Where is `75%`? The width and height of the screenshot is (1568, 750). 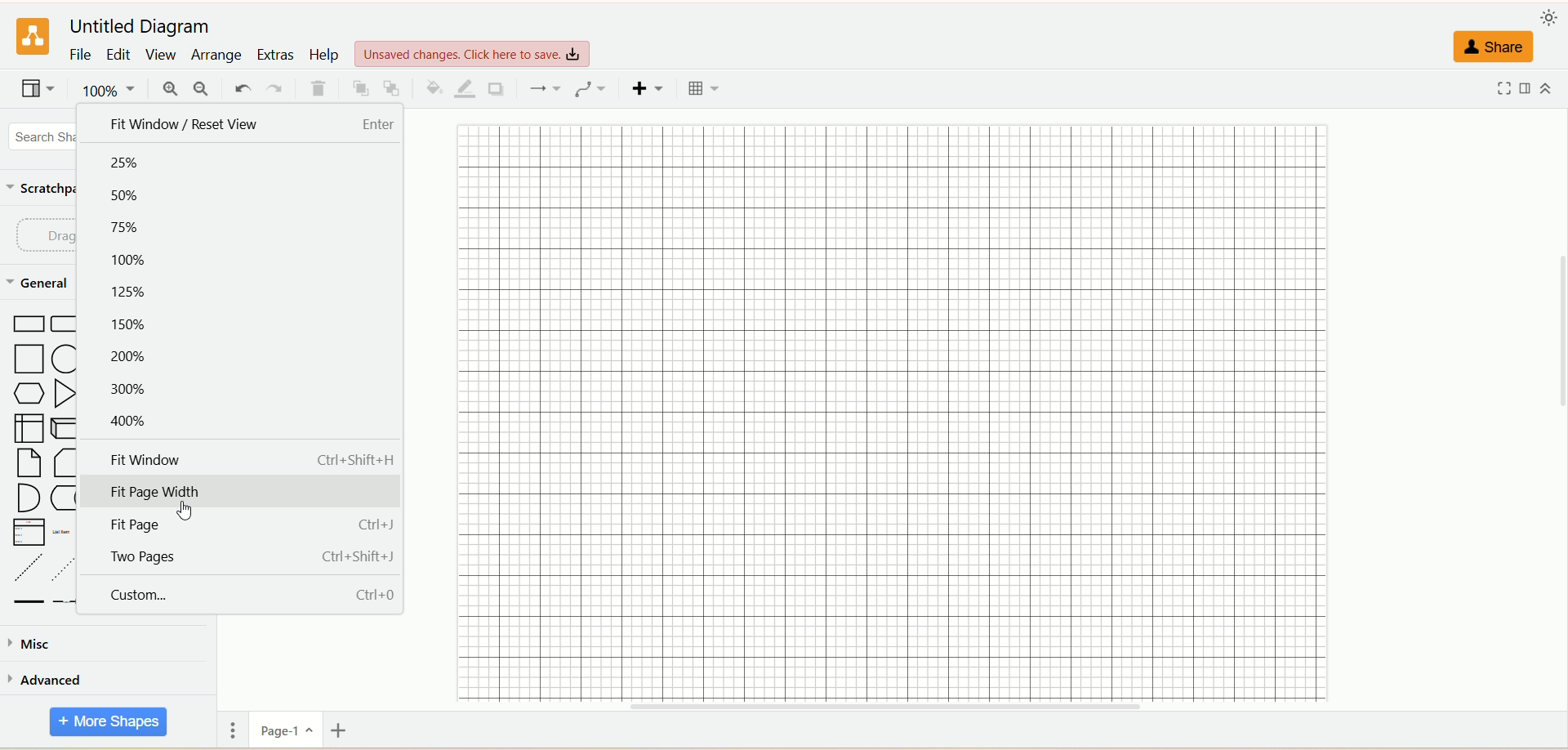
75% is located at coordinates (131, 231).